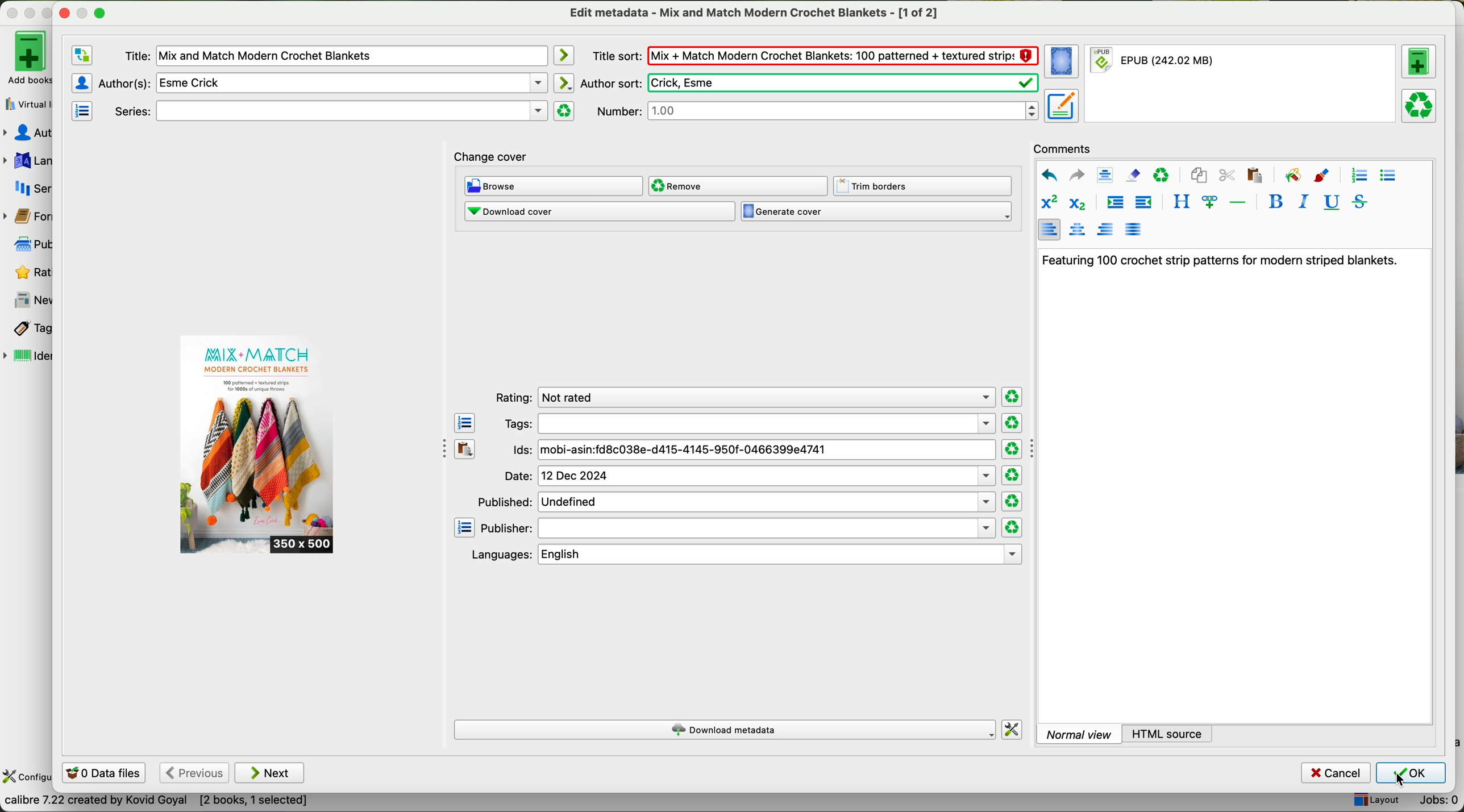  What do you see at coordinates (1419, 61) in the screenshot?
I see `add a format to this book` at bounding box center [1419, 61].